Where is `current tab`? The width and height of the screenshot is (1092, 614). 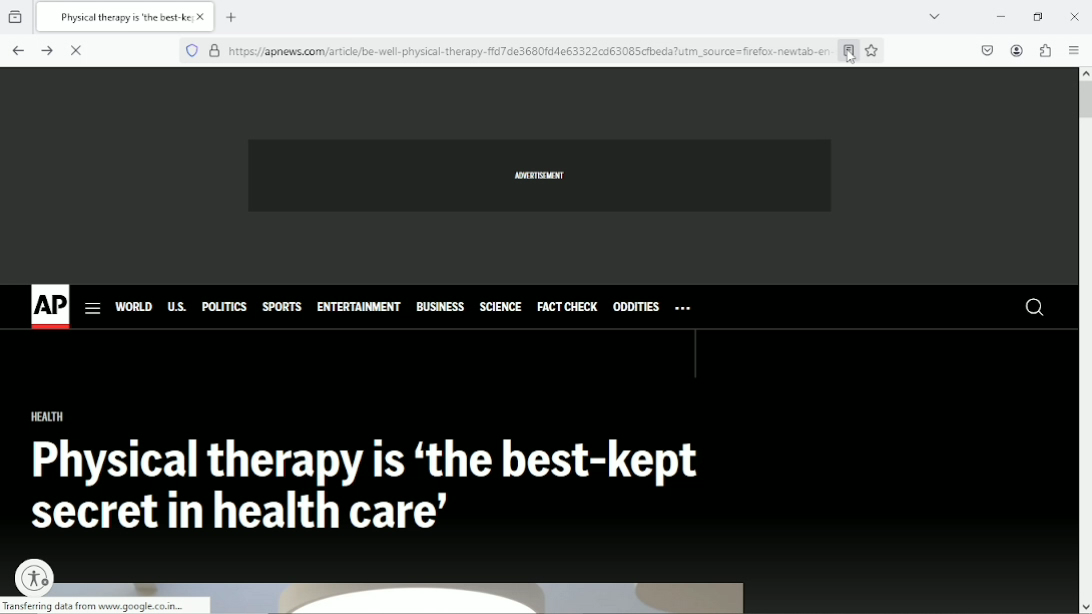
current tab is located at coordinates (126, 17).